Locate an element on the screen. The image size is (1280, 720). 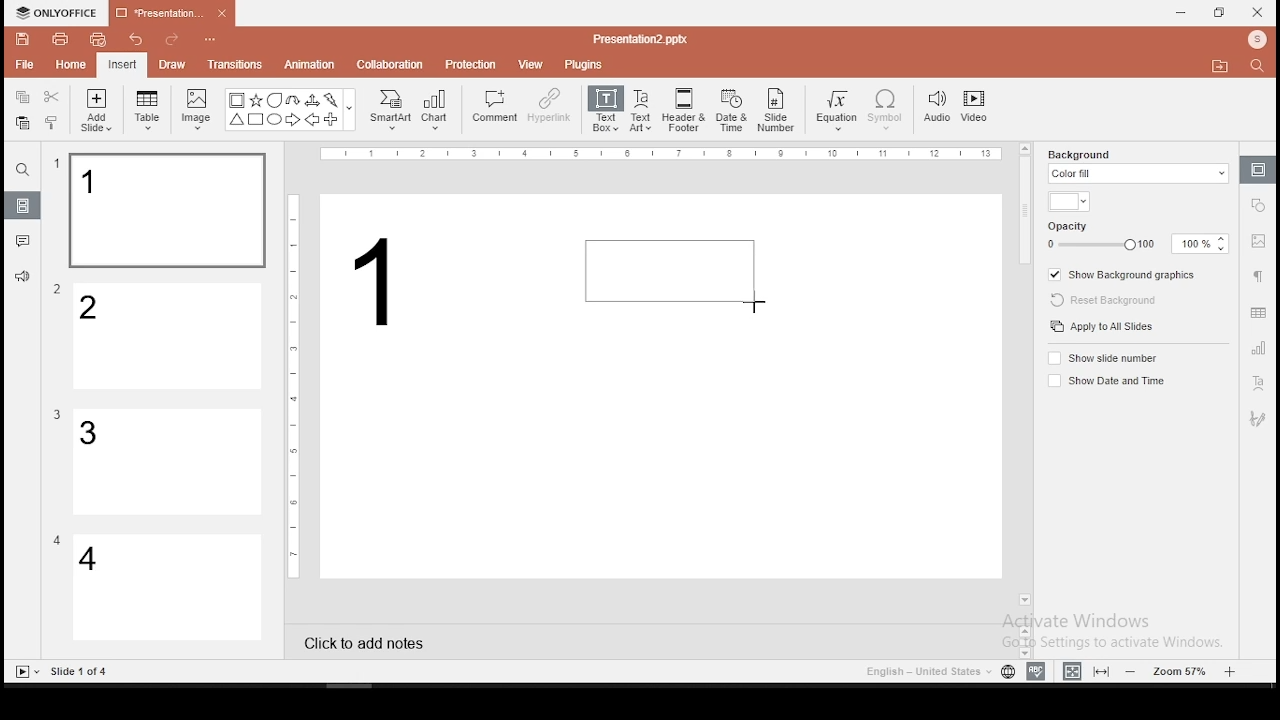
zoom level is located at coordinates (1183, 670).